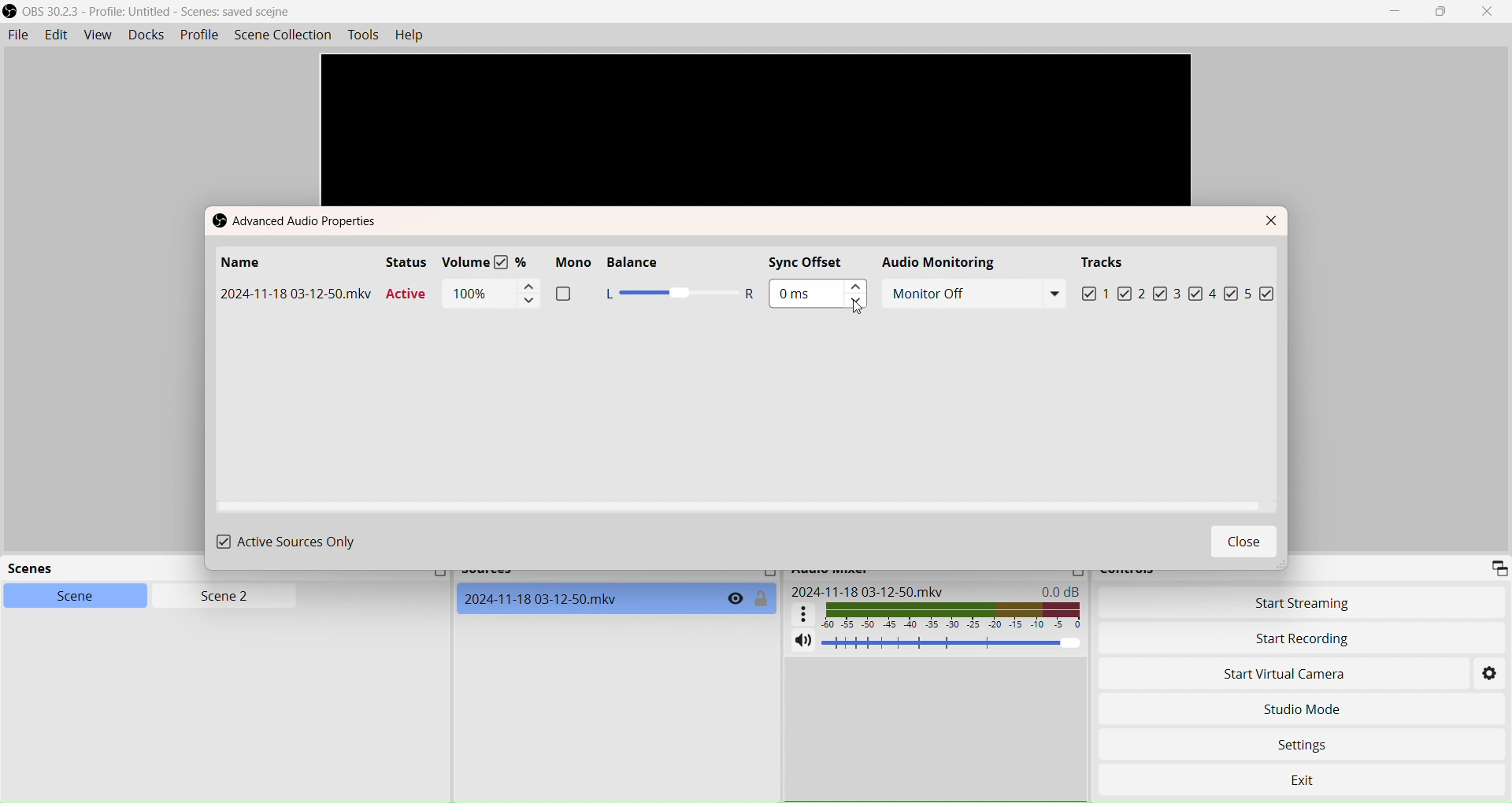 The width and height of the screenshot is (1512, 803). I want to click on Increment, so click(528, 286).